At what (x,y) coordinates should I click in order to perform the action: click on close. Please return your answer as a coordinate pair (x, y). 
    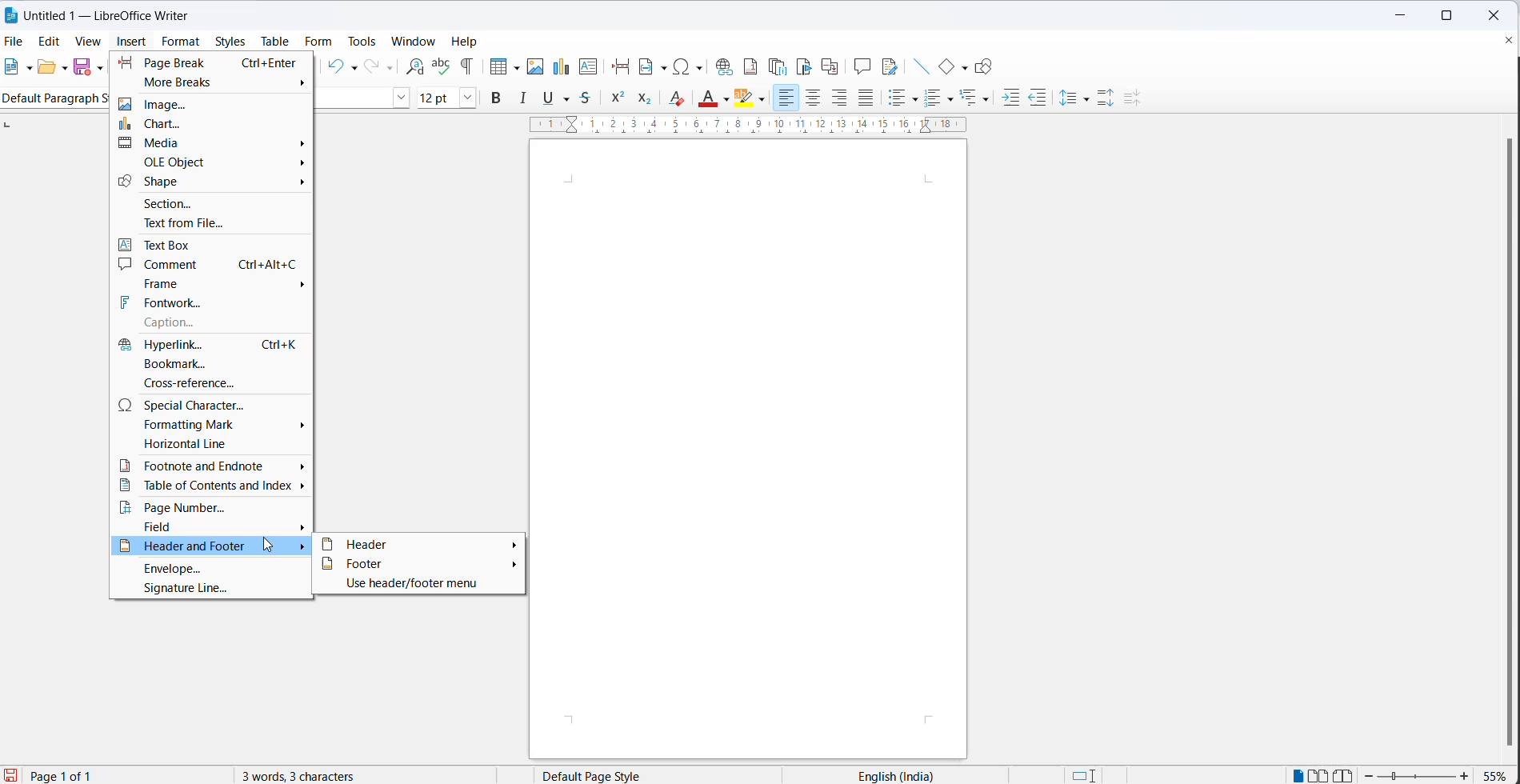
    Looking at the image, I should click on (1501, 40).